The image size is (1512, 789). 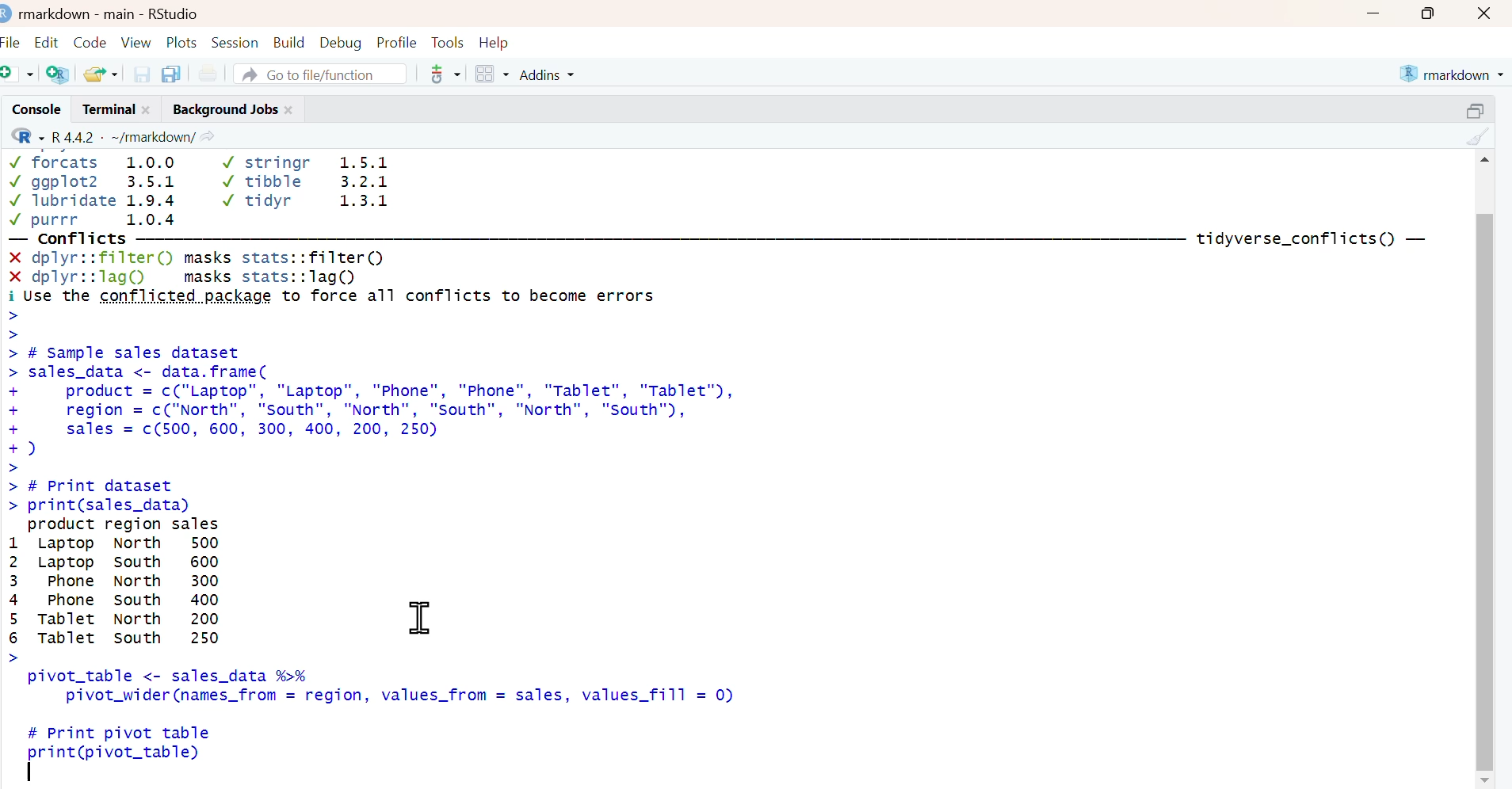 I want to click on close, so click(x=151, y=109).